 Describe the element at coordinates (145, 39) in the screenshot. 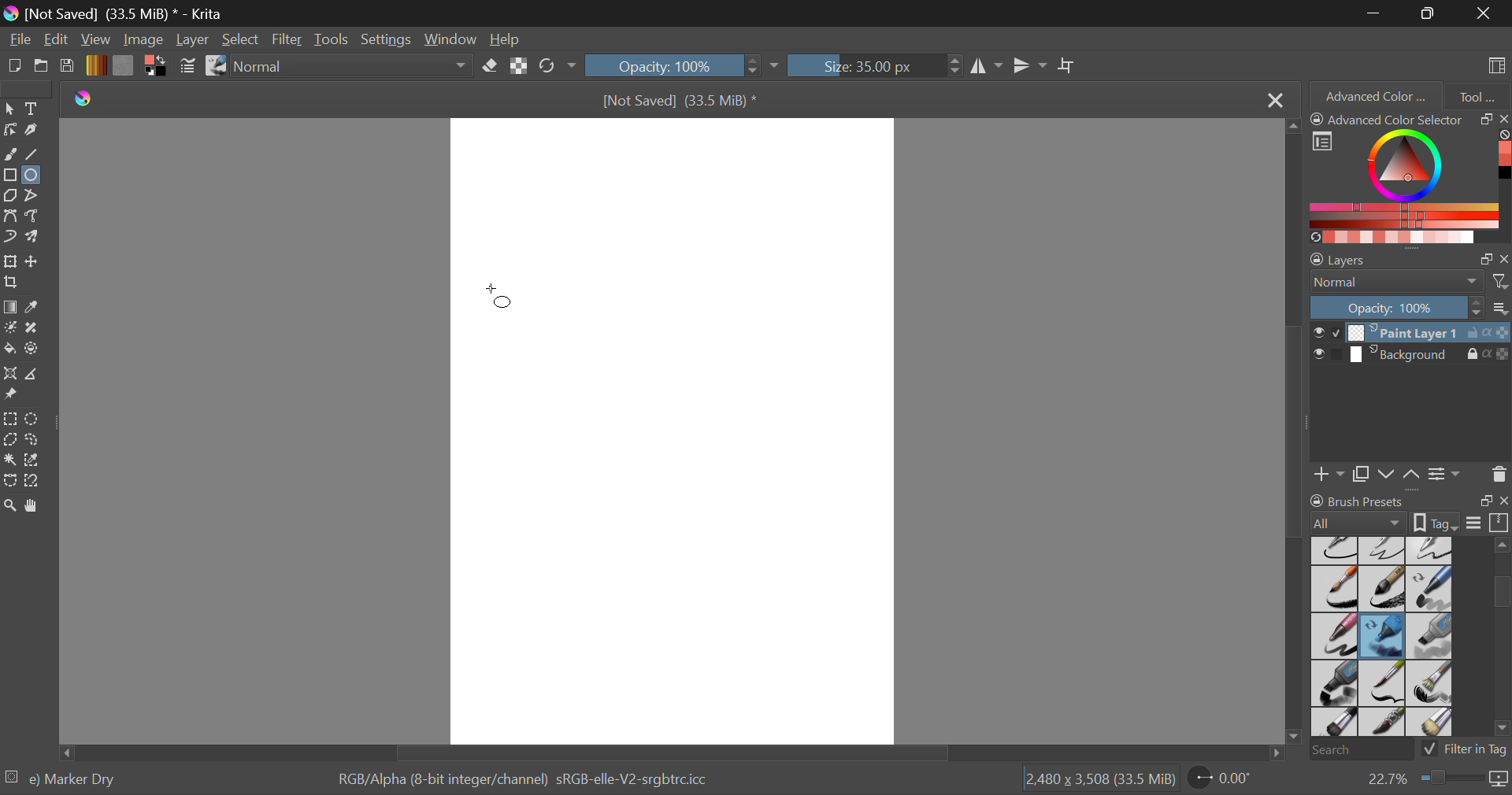

I see `Image` at that location.